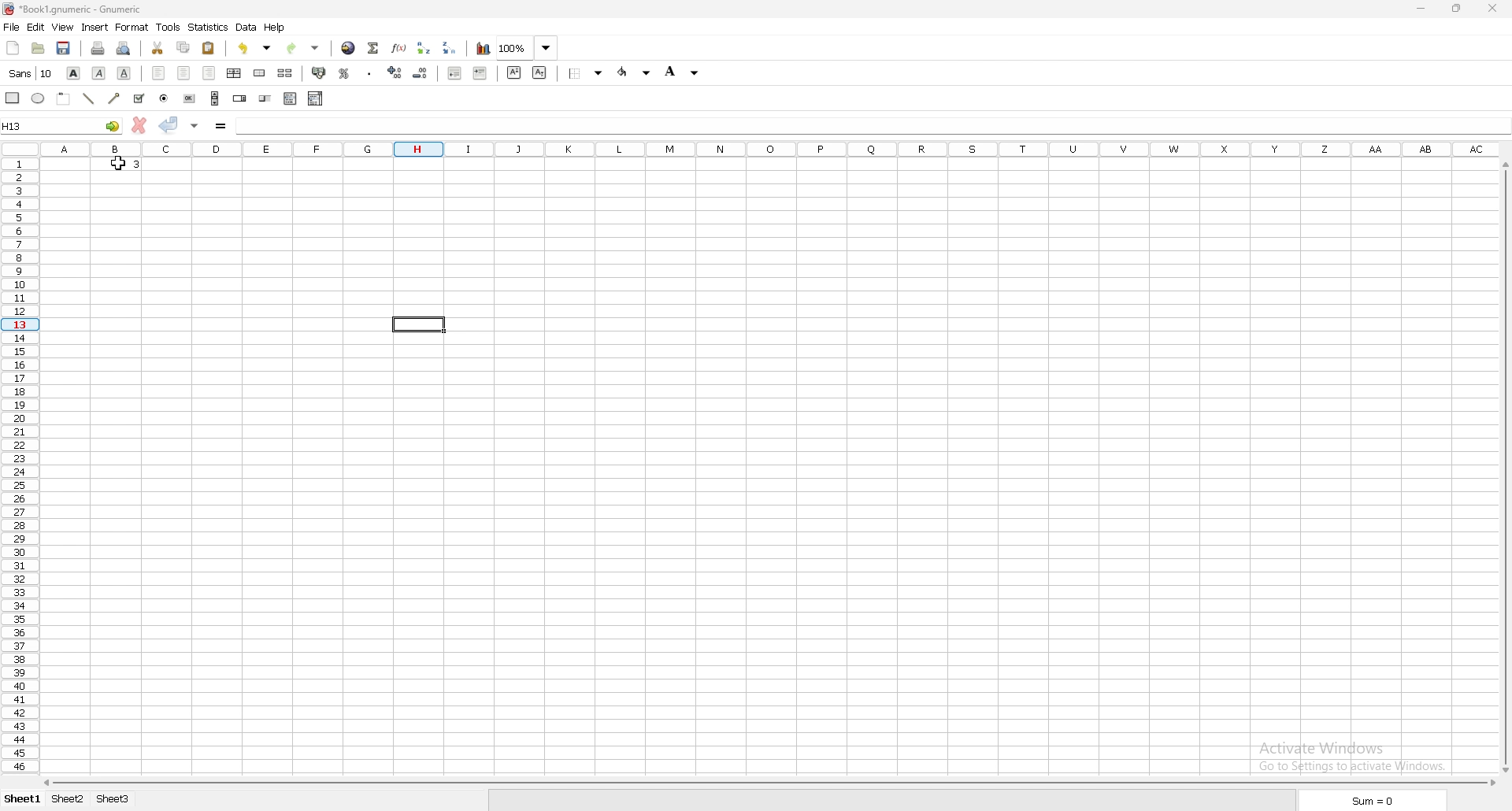 The height and width of the screenshot is (811, 1512). I want to click on ellipse, so click(37, 99).